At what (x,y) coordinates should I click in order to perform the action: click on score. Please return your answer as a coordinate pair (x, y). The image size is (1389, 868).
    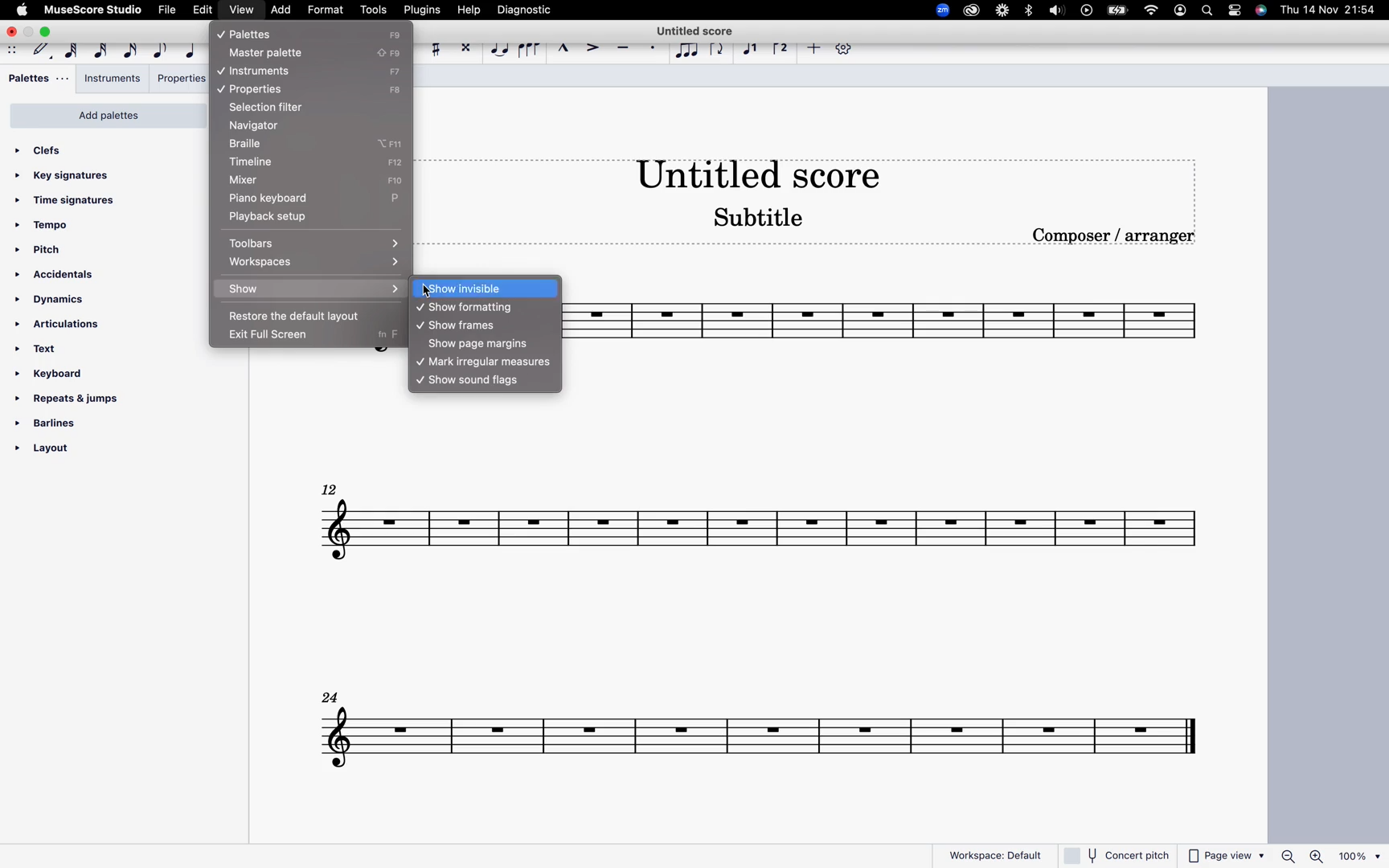
    Looking at the image, I should click on (758, 728).